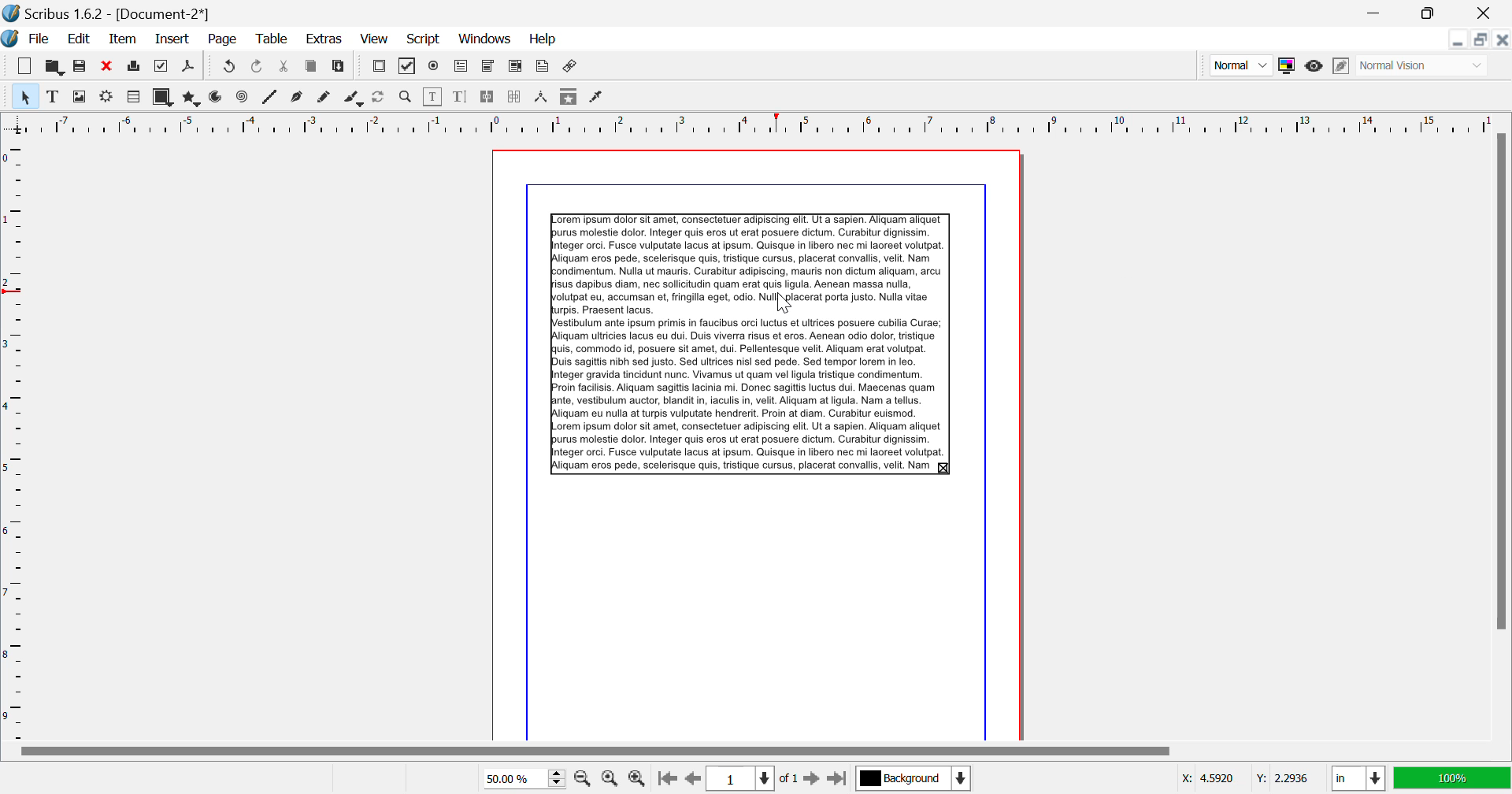 This screenshot has height=794, width=1512. What do you see at coordinates (108, 13) in the screenshot?
I see `Scribus 1.62 - [Document-2*]` at bounding box center [108, 13].